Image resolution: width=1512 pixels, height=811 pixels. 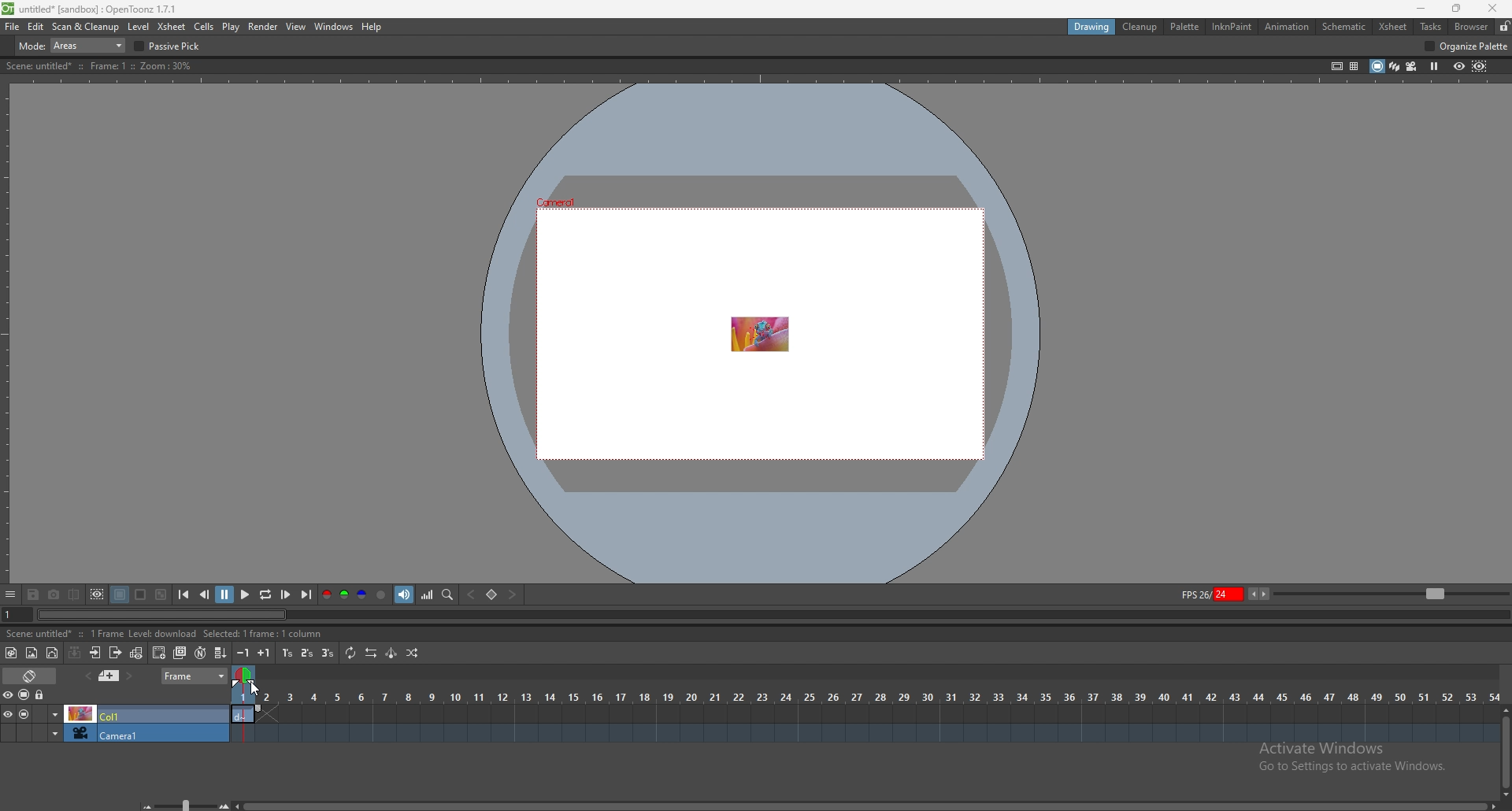 What do you see at coordinates (266, 594) in the screenshot?
I see `loop` at bounding box center [266, 594].